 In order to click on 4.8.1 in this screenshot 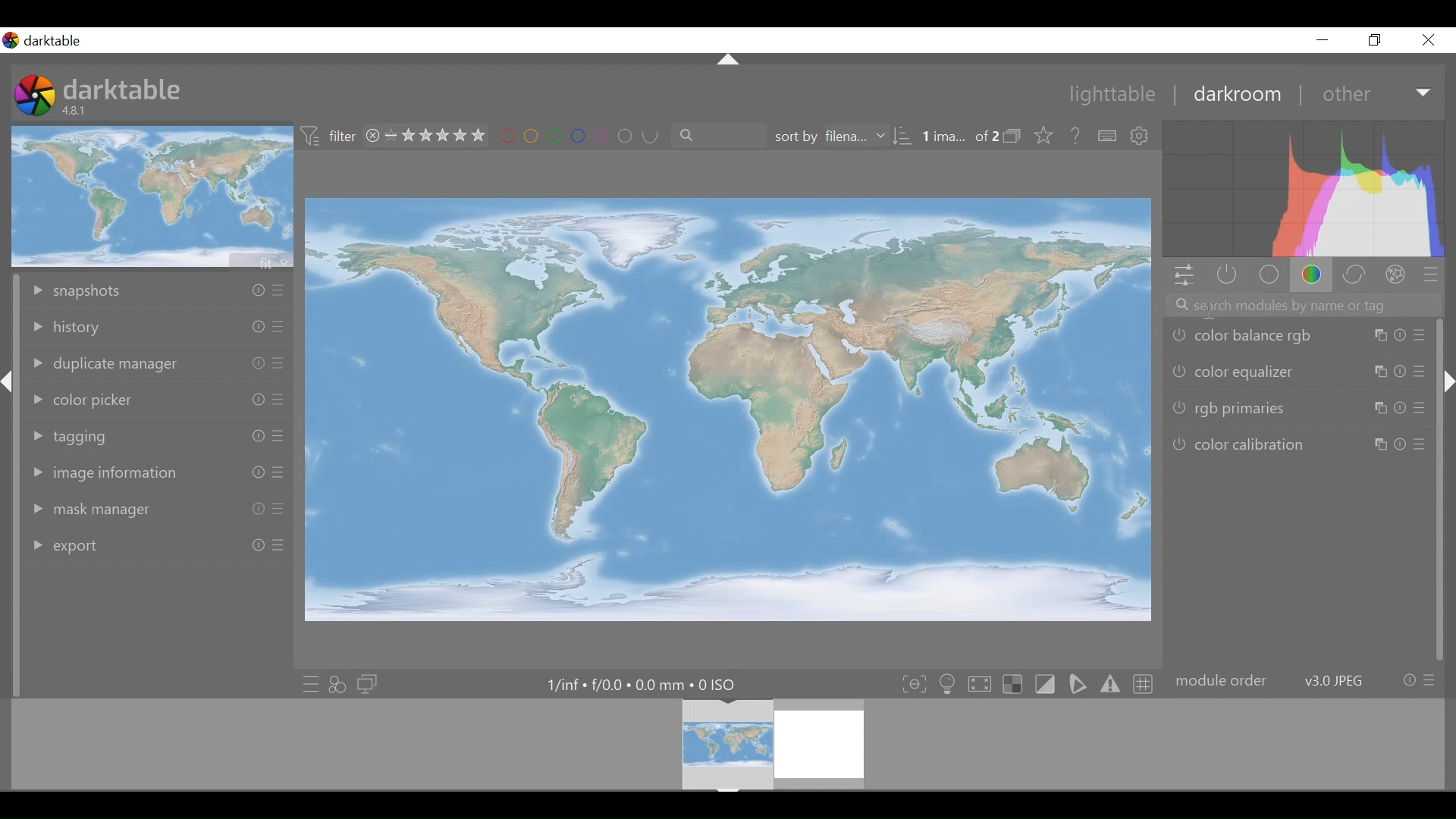, I will do `click(77, 111)`.